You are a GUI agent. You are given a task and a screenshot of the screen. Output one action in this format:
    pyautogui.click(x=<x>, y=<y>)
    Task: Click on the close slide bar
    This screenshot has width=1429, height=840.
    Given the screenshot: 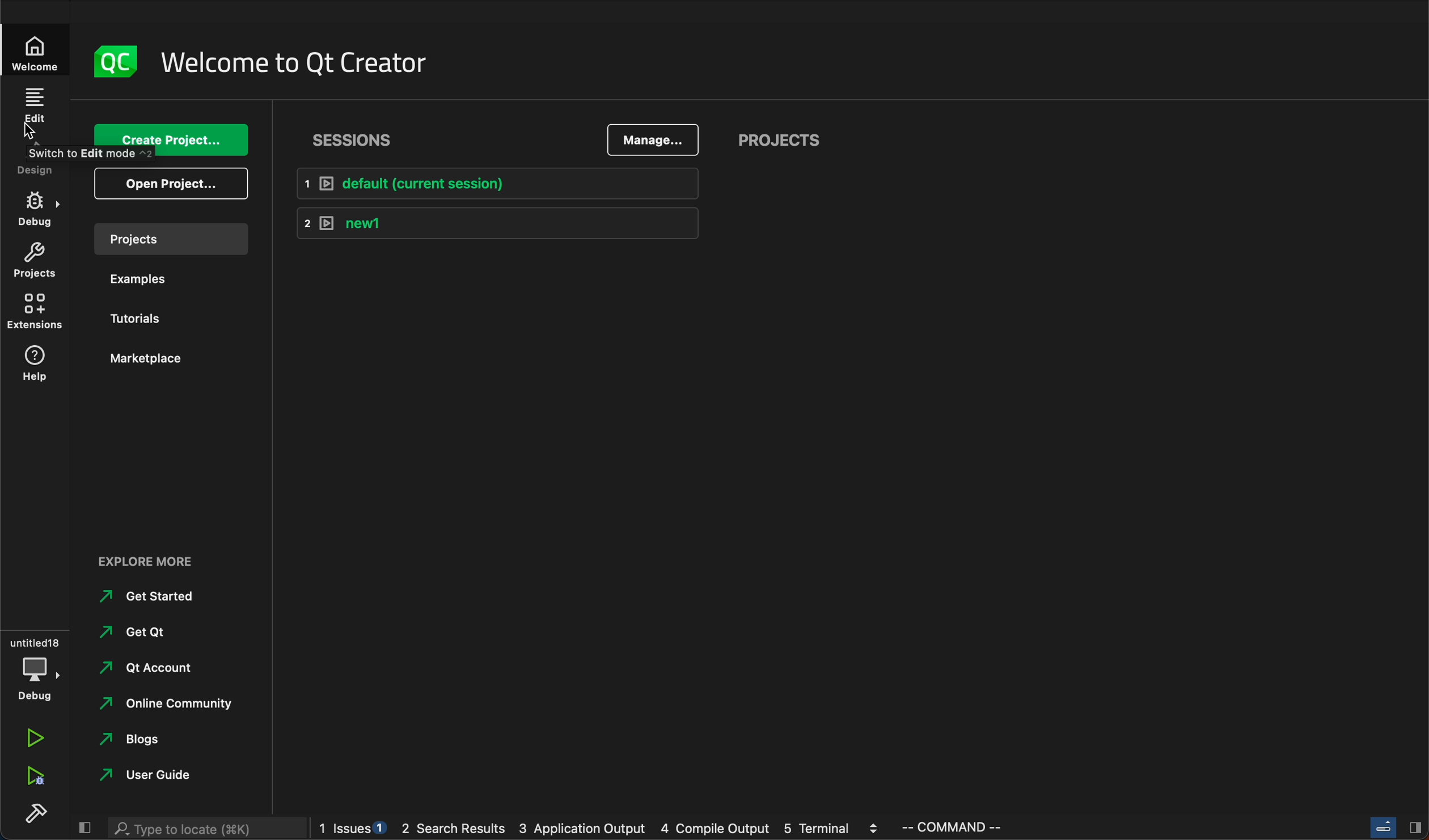 What is the action you would take?
    pyautogui.click(x=1392, y=828)
    